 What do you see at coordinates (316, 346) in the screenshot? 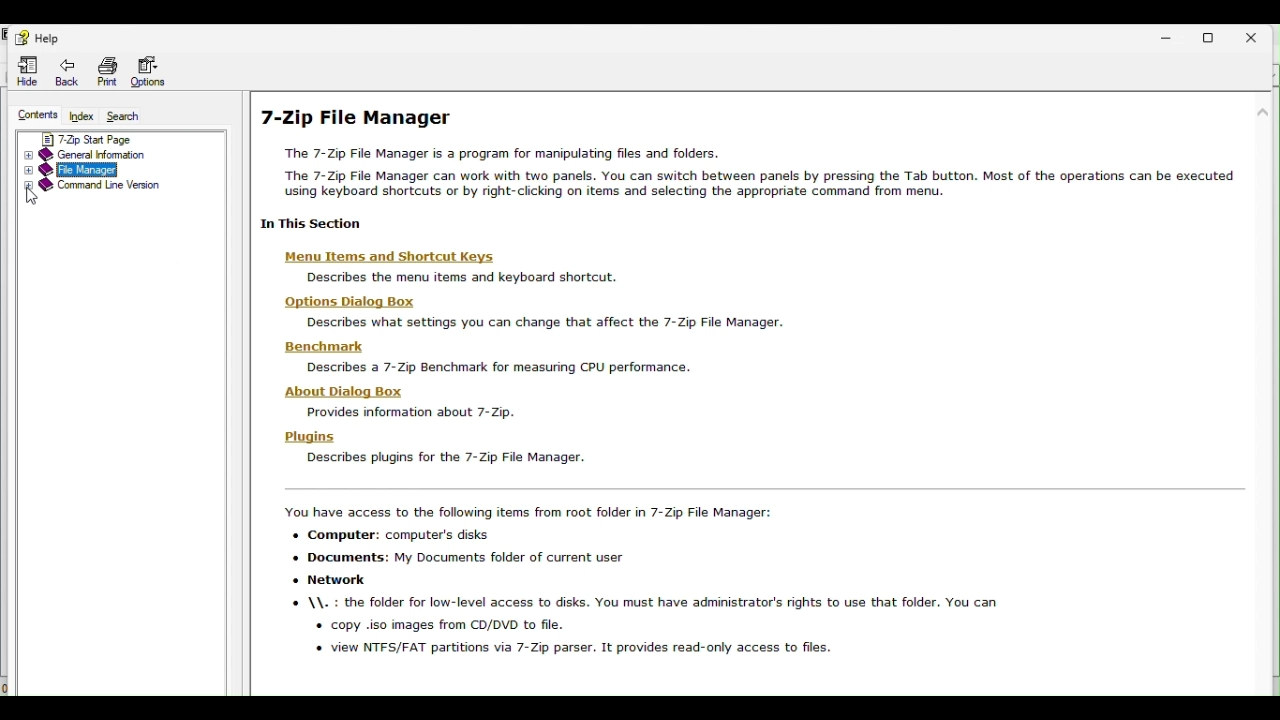
I see `‘Benchmark` at bounding box center [316, 346].